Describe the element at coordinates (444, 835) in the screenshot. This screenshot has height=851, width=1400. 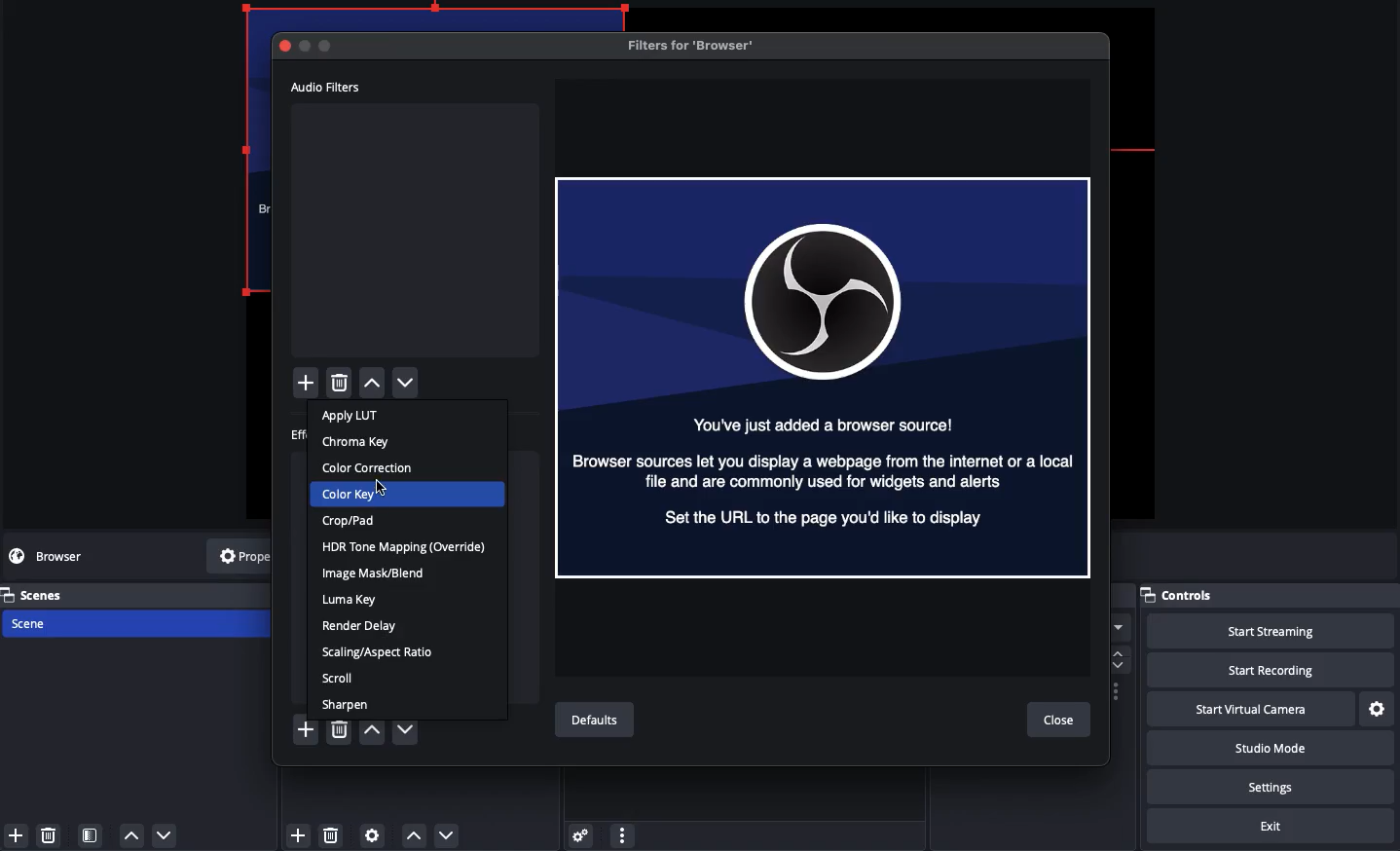
I see `Move down` at that location.